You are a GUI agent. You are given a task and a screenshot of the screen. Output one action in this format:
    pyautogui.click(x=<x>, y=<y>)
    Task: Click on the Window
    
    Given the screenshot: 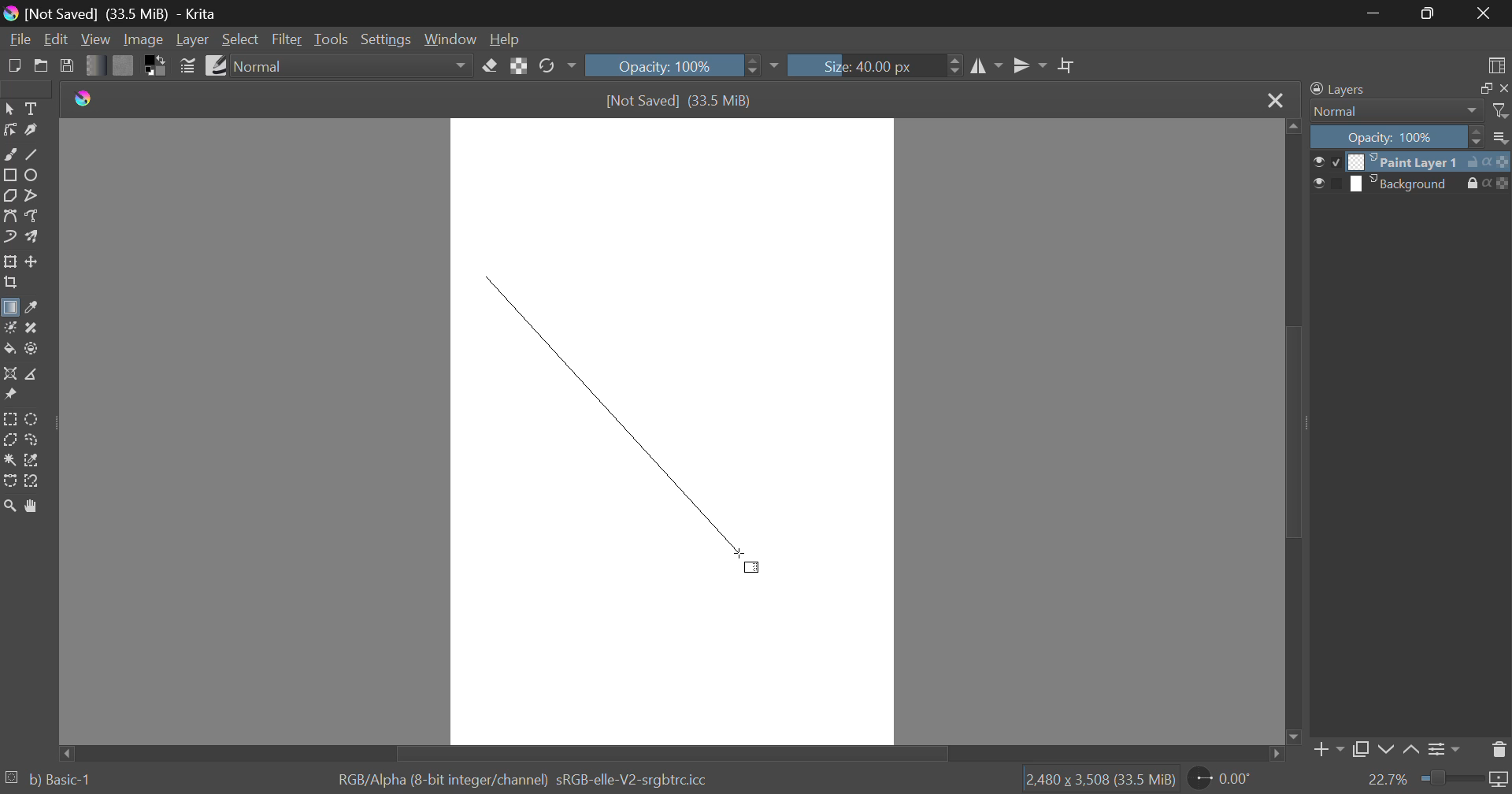 What is the action you would take?
    pyautogui.click(x=449, y=39)
    